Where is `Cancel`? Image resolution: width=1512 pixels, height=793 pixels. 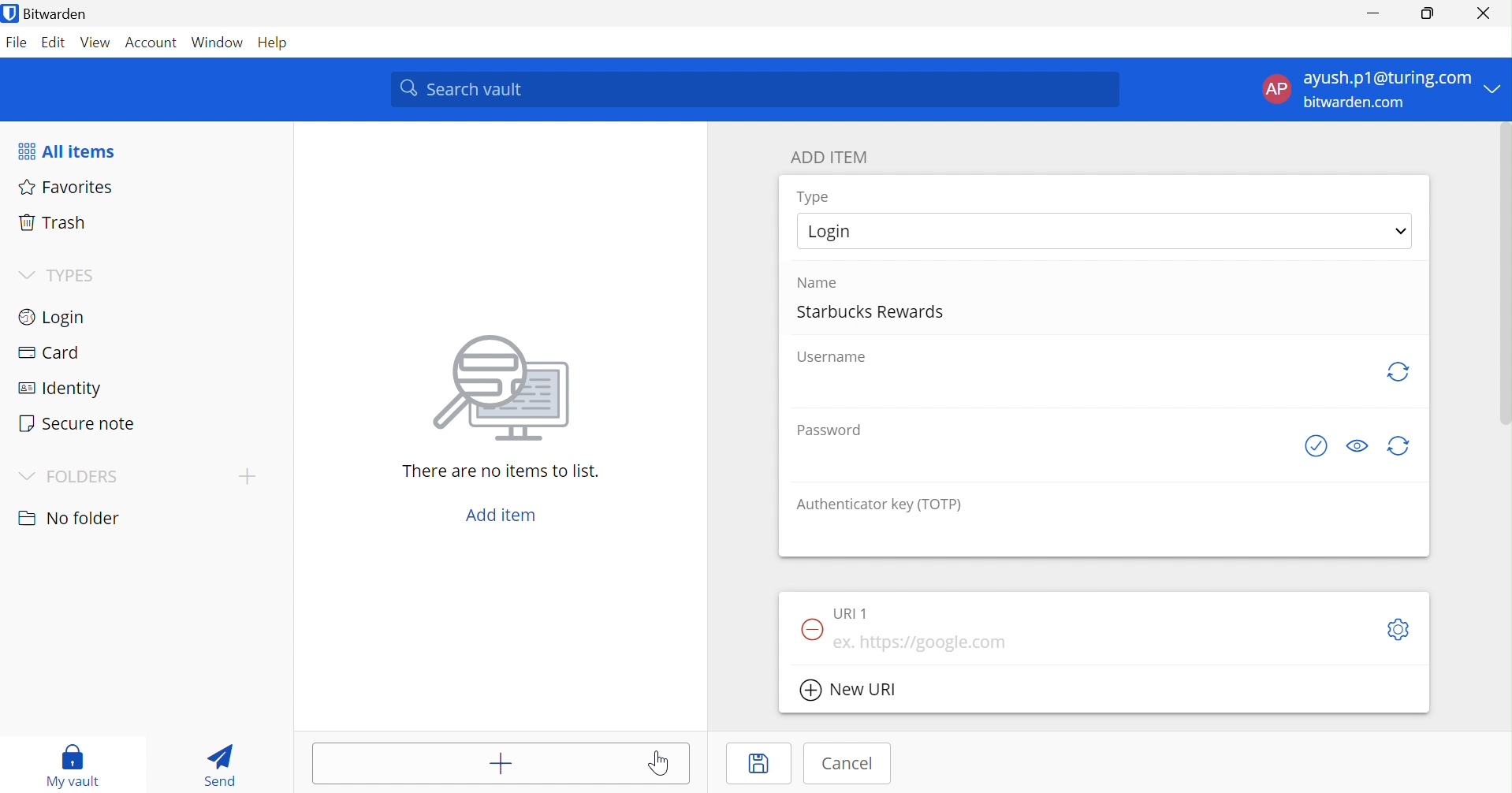
Cancel is located at coordinates (851, 764).